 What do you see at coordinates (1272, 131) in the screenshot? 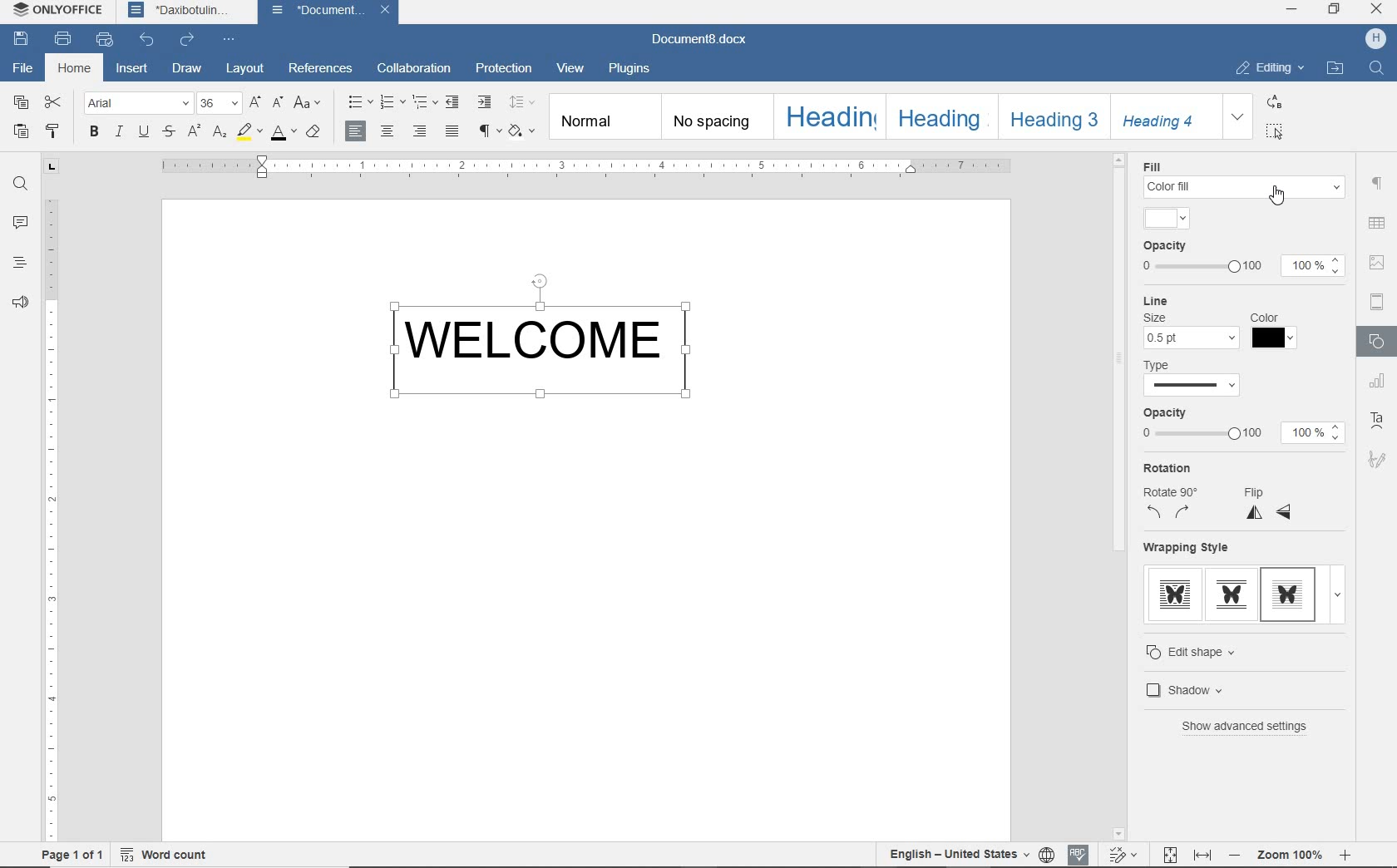
I see `SELECT ALL` at bounding box center [1272, 131].